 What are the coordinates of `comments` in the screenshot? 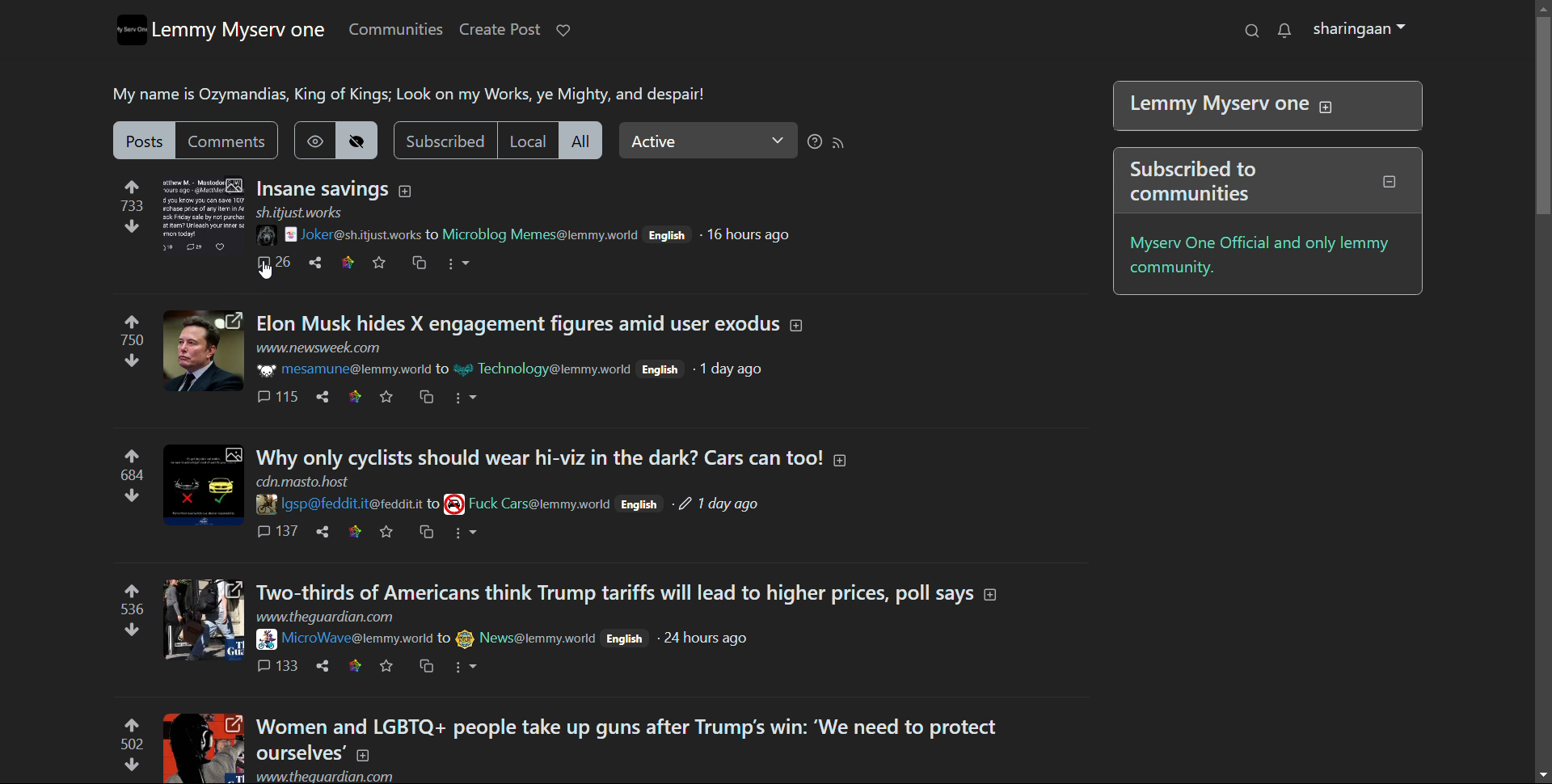 It's located at (275, 531).